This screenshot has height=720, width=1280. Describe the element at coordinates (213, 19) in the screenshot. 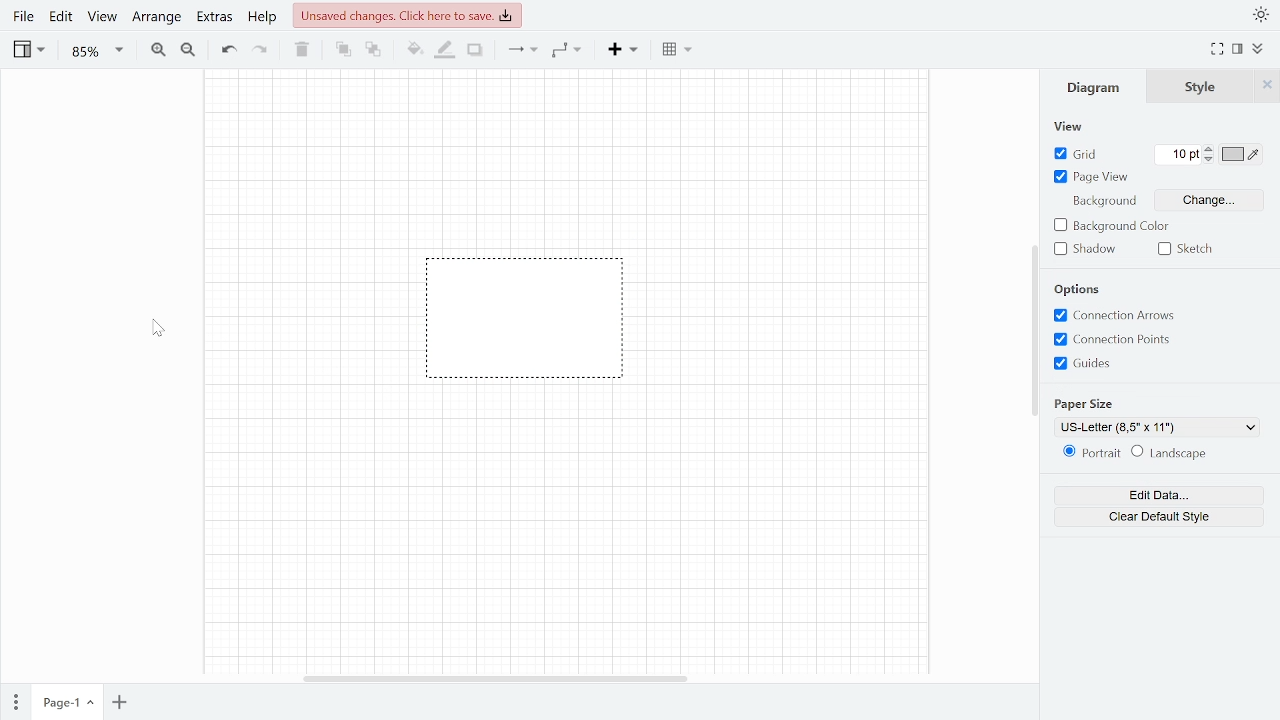

I see `Extras` at that location.